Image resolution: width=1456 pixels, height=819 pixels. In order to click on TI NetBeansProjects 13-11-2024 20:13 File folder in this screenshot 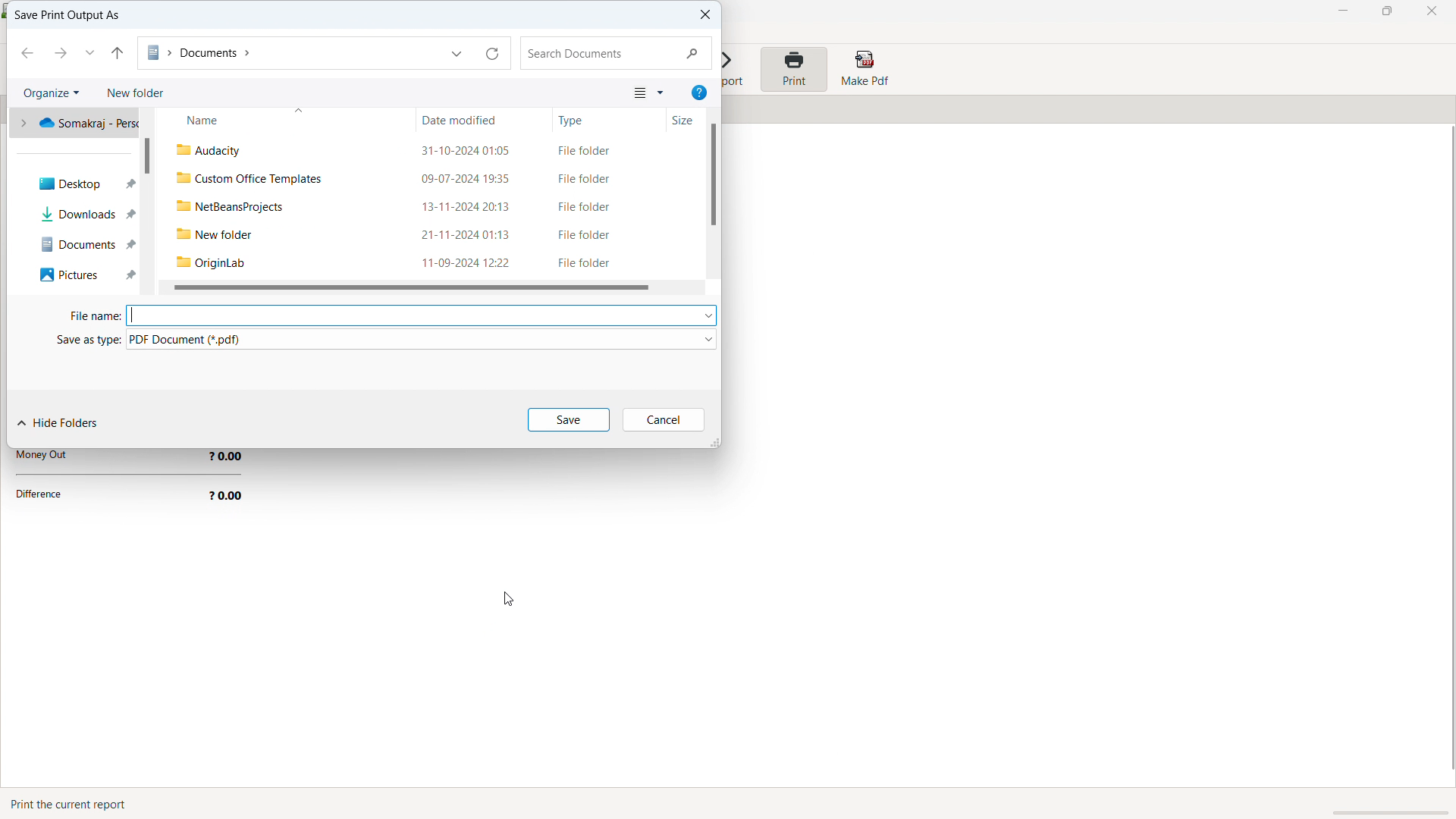, I will do `click(422, 206)`.